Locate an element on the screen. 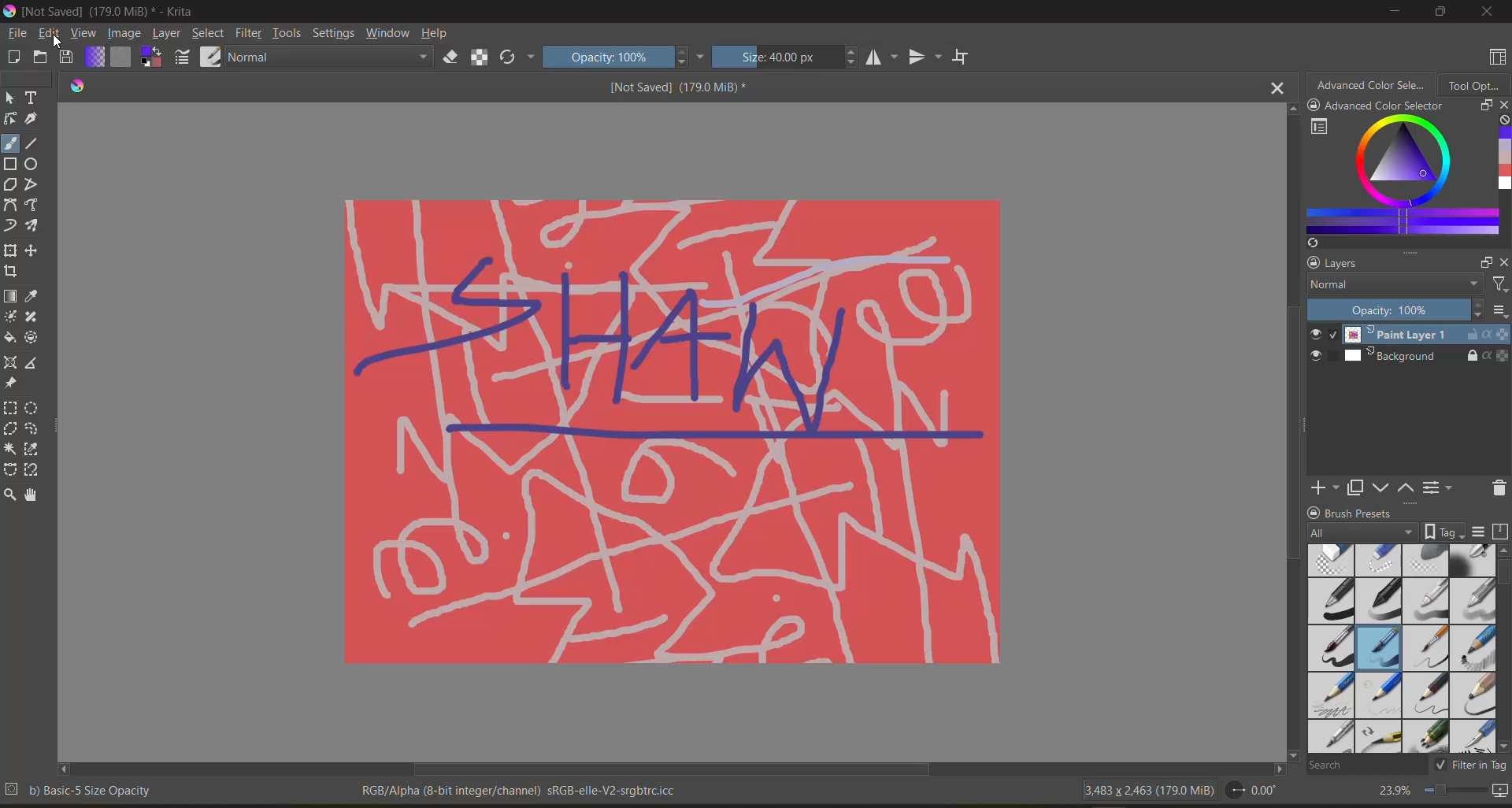 The width and height of the screenshot is (1512, 808). scroll up is located at coordinates (1288, 109).